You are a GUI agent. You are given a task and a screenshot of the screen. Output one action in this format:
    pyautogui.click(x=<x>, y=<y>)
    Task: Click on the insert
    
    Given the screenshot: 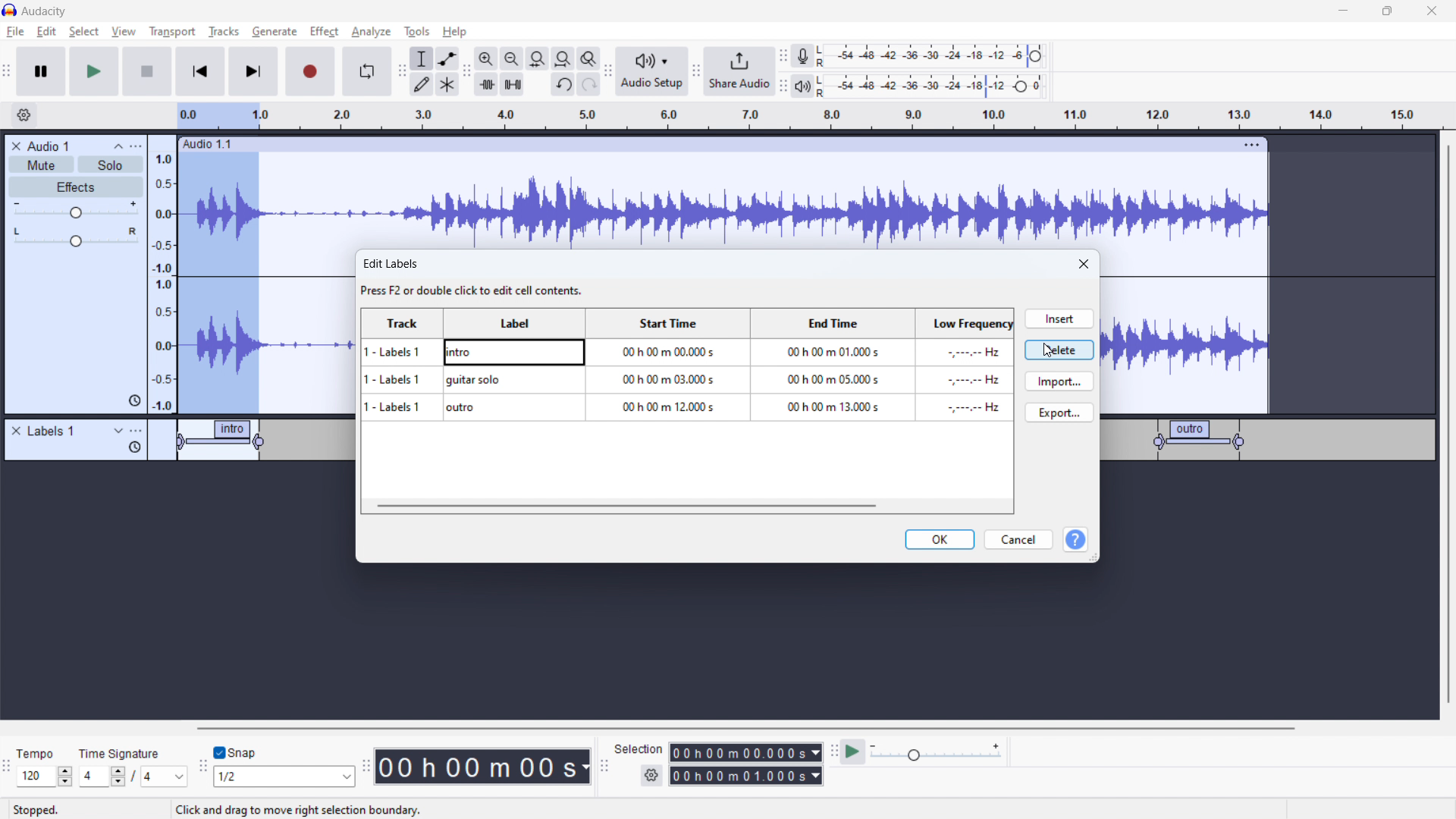 What is the action you would take?
    pyautogui.click(x=1058, y=318)
    